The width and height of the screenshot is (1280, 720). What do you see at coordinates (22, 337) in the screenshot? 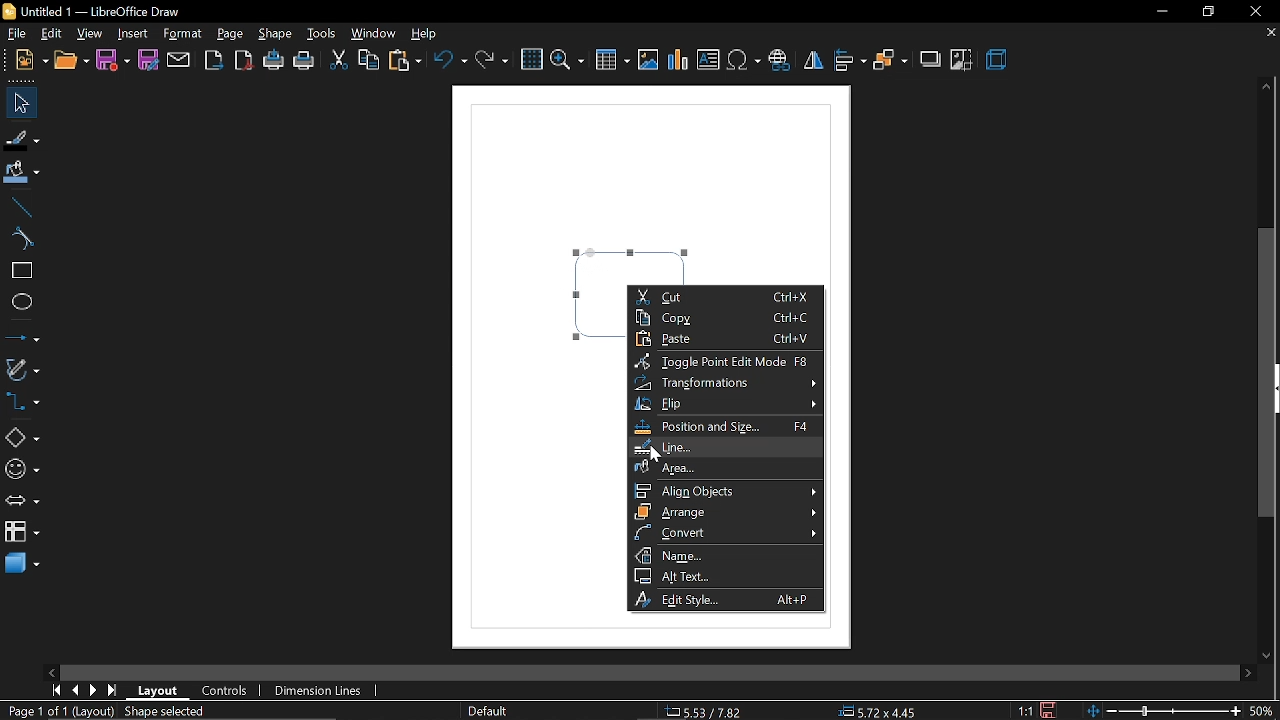
I see `lines and arrows` at bounding box center [22, 337].